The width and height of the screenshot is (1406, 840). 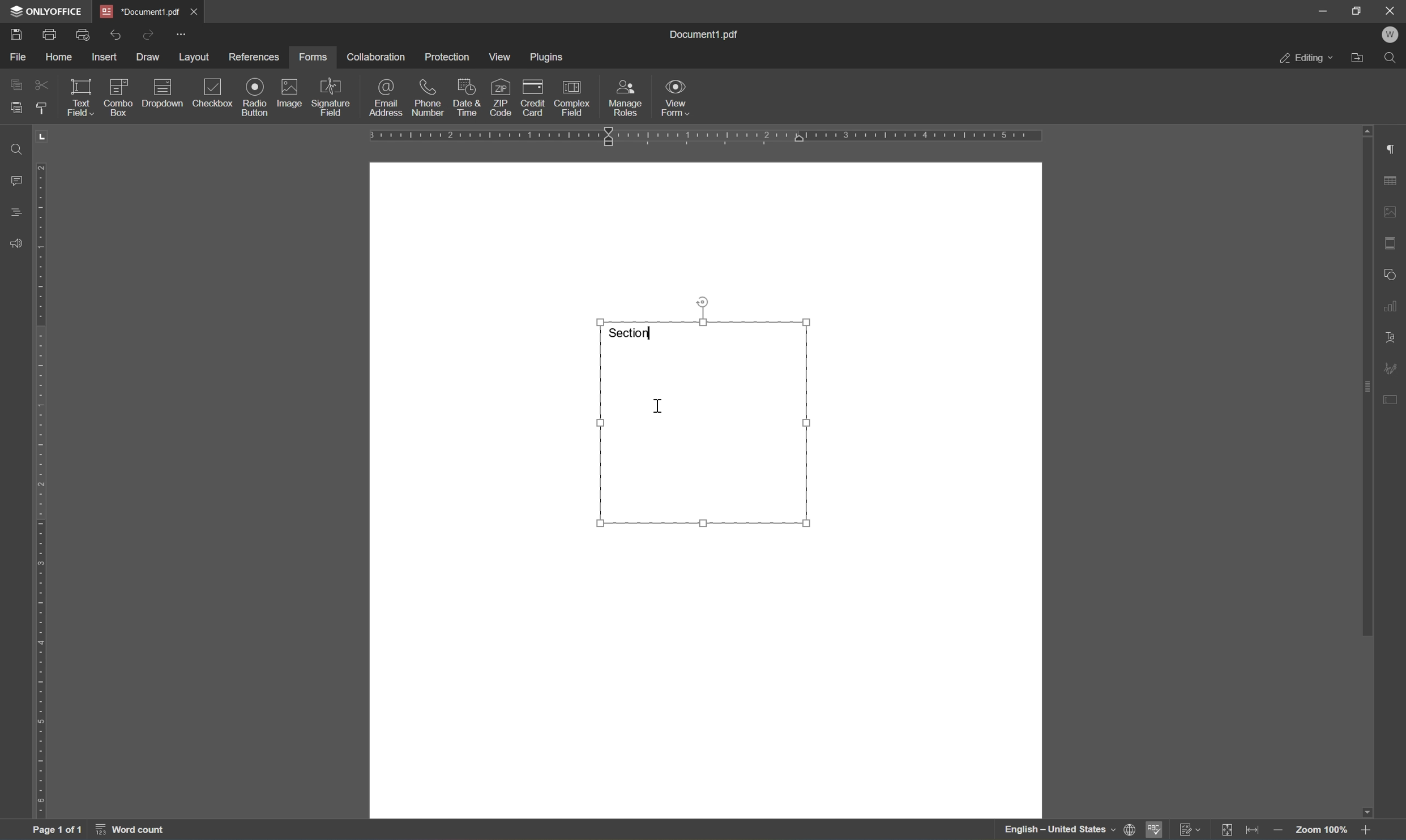 I want to click on date & time, so click(x=466, y=96).